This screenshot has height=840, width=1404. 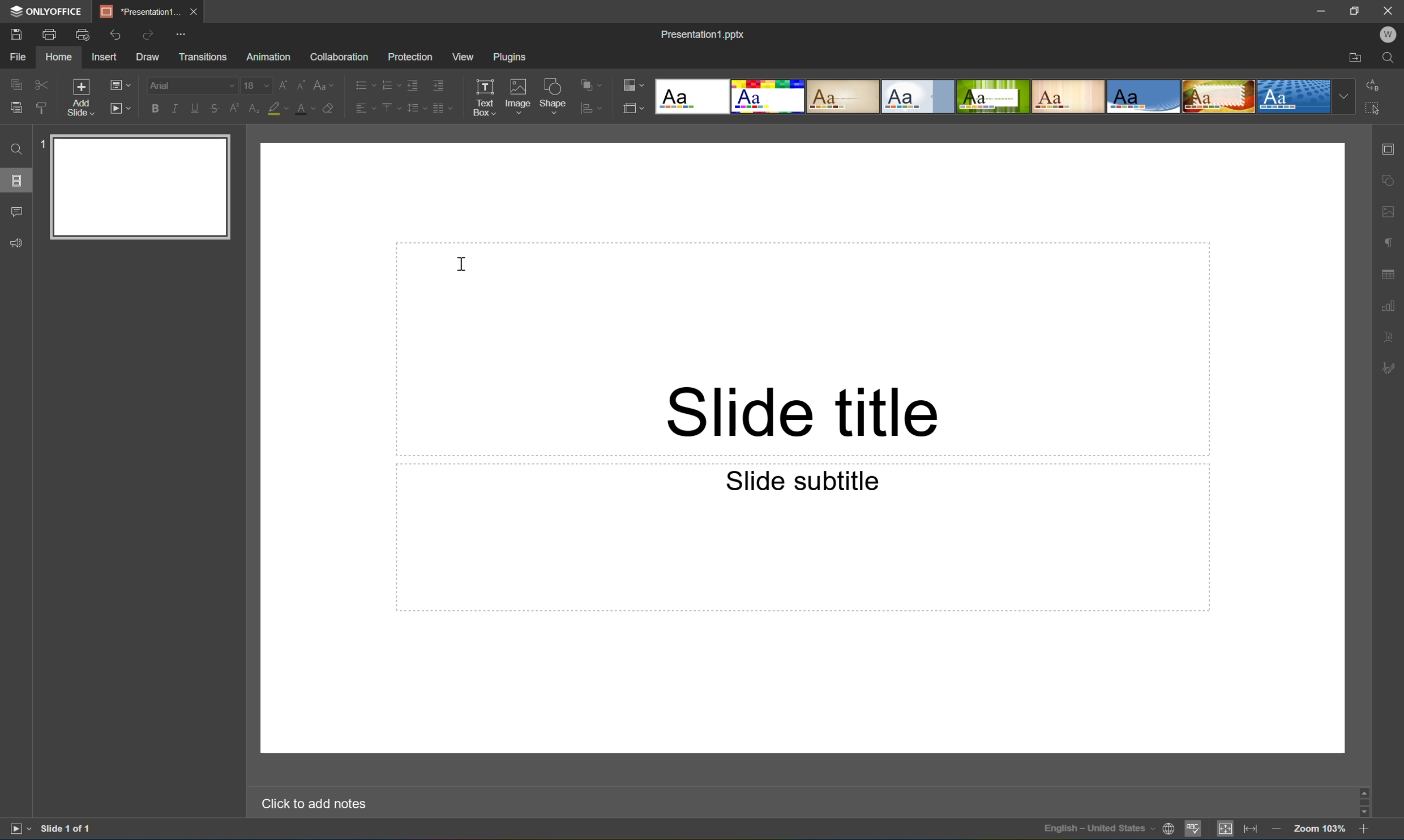 What do you see at coordinates (555, 97) in the screenshot?
I see `Shape` at bounding box center [555, 97].